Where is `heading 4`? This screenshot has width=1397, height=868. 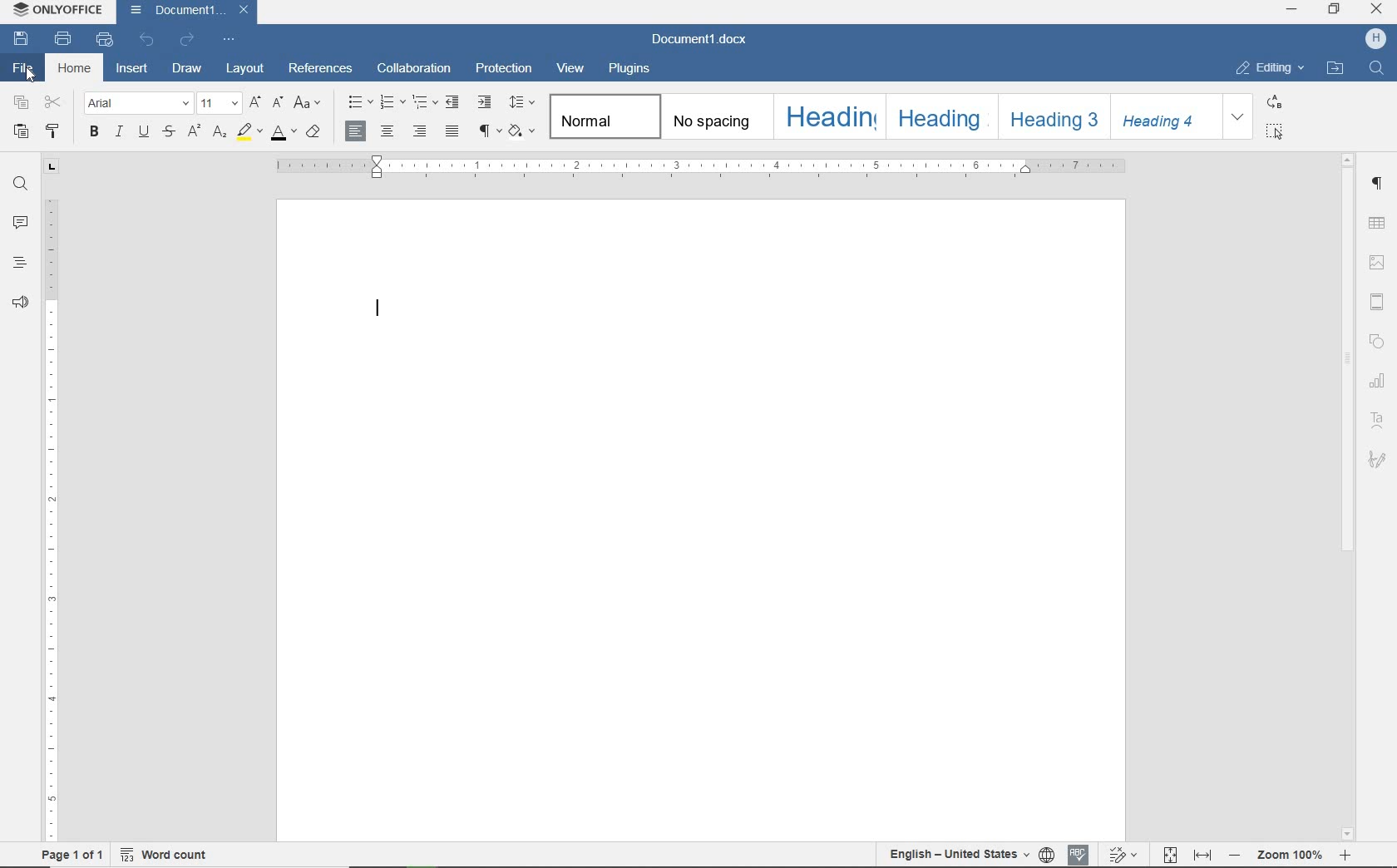
heading 4 is located at coordinates (1166, 117).